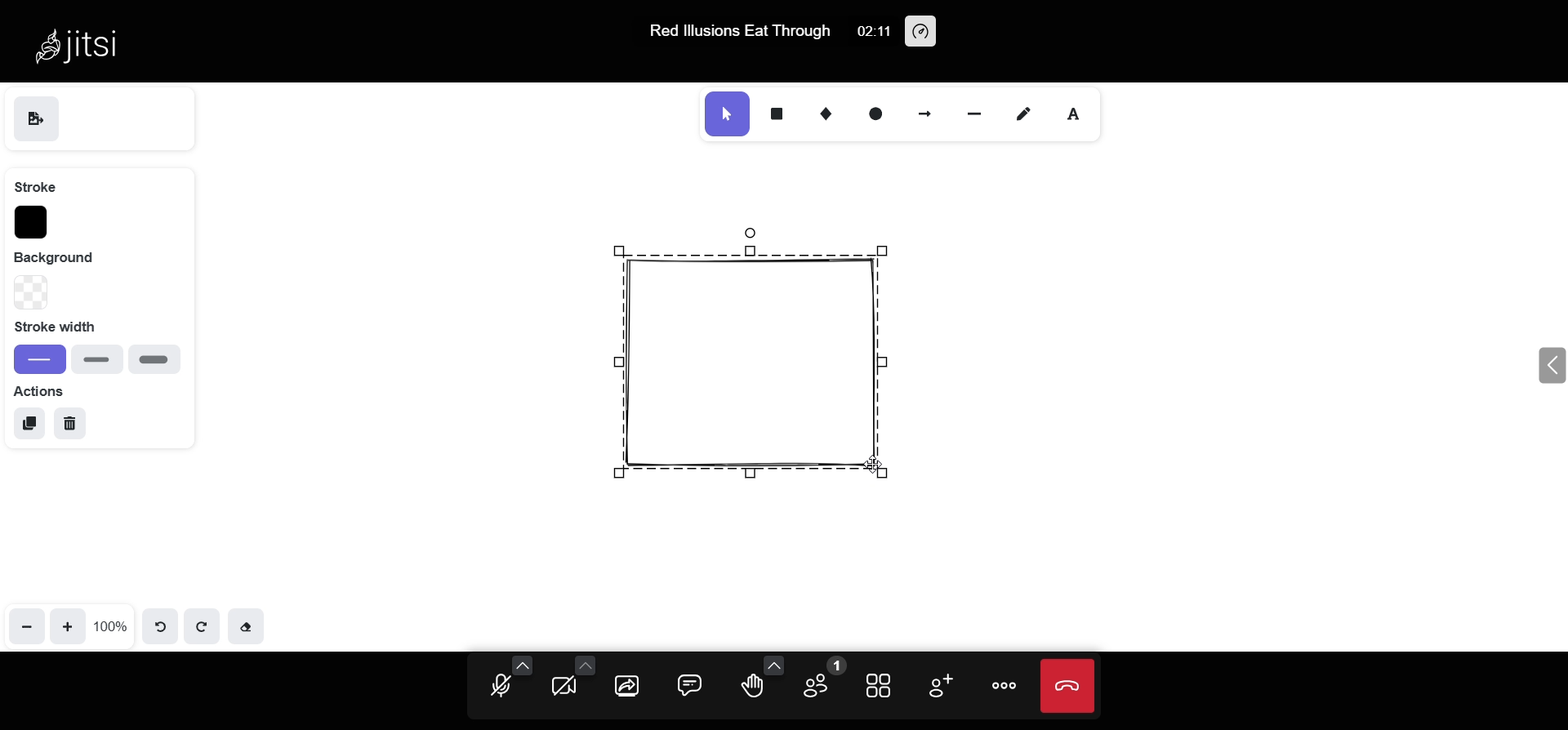 Image resolution: width=1568 pixels, height=730 pixels. Describe the element at coordinates (1069, 686) in the screenshot. I see `end call` at that location.